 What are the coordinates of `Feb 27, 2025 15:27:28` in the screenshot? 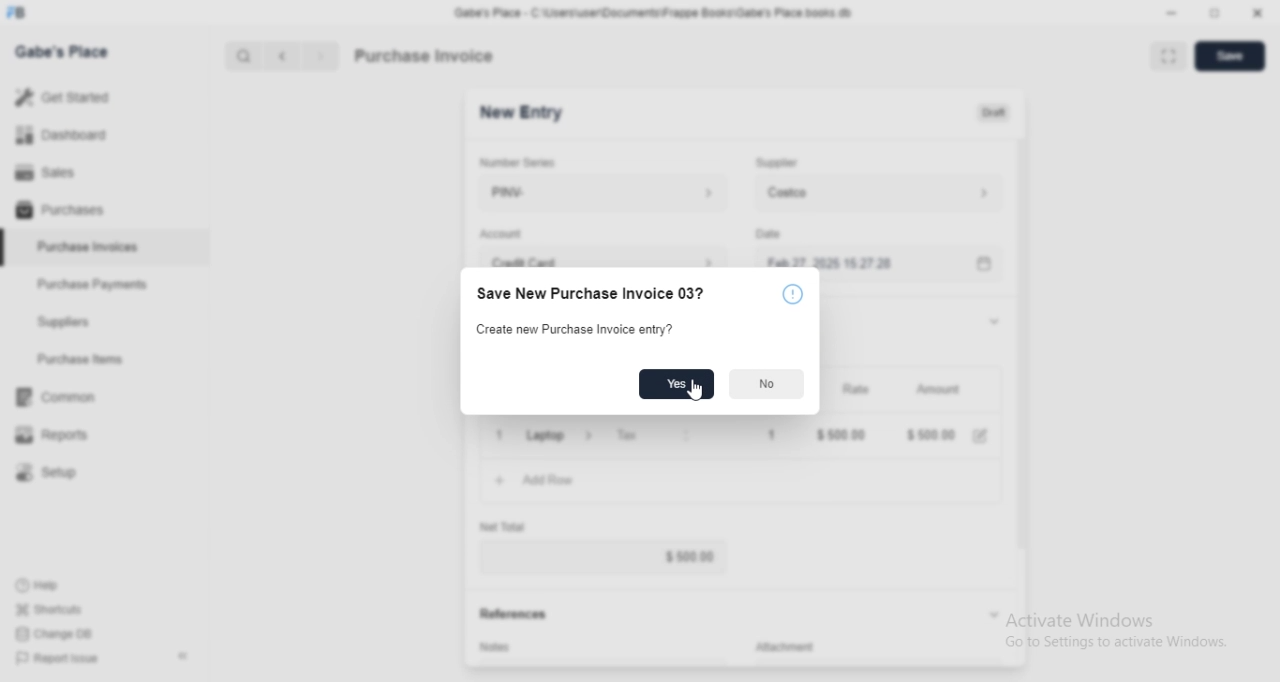 It's located at (912, 263).